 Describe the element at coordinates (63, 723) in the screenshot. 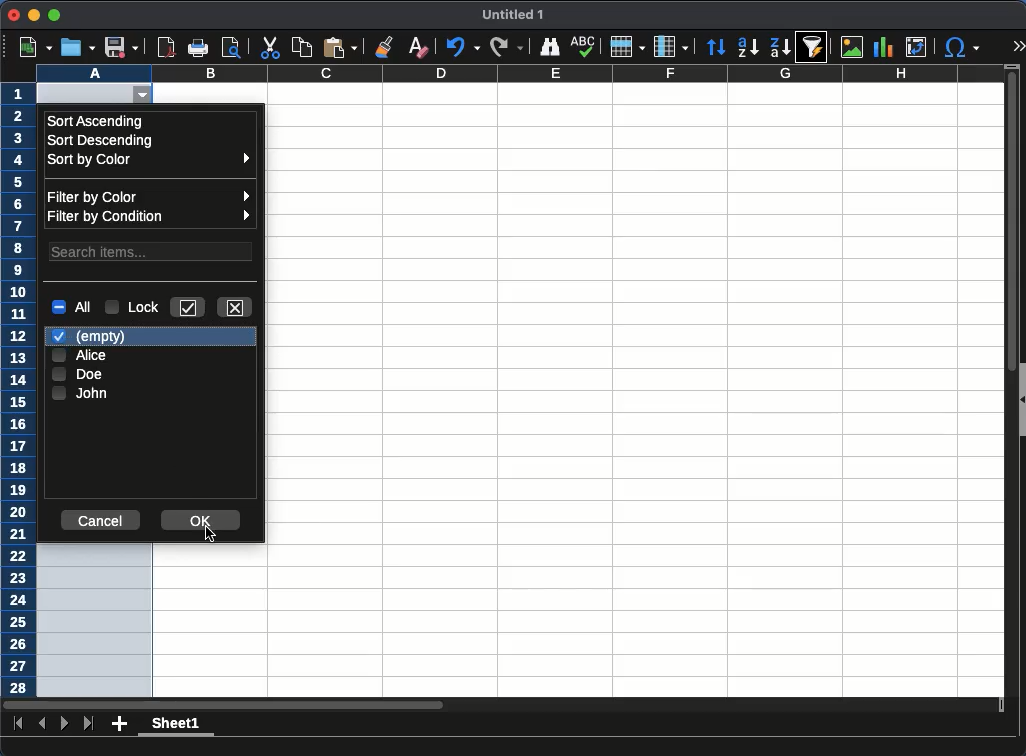

I see `next sheet` at that location.